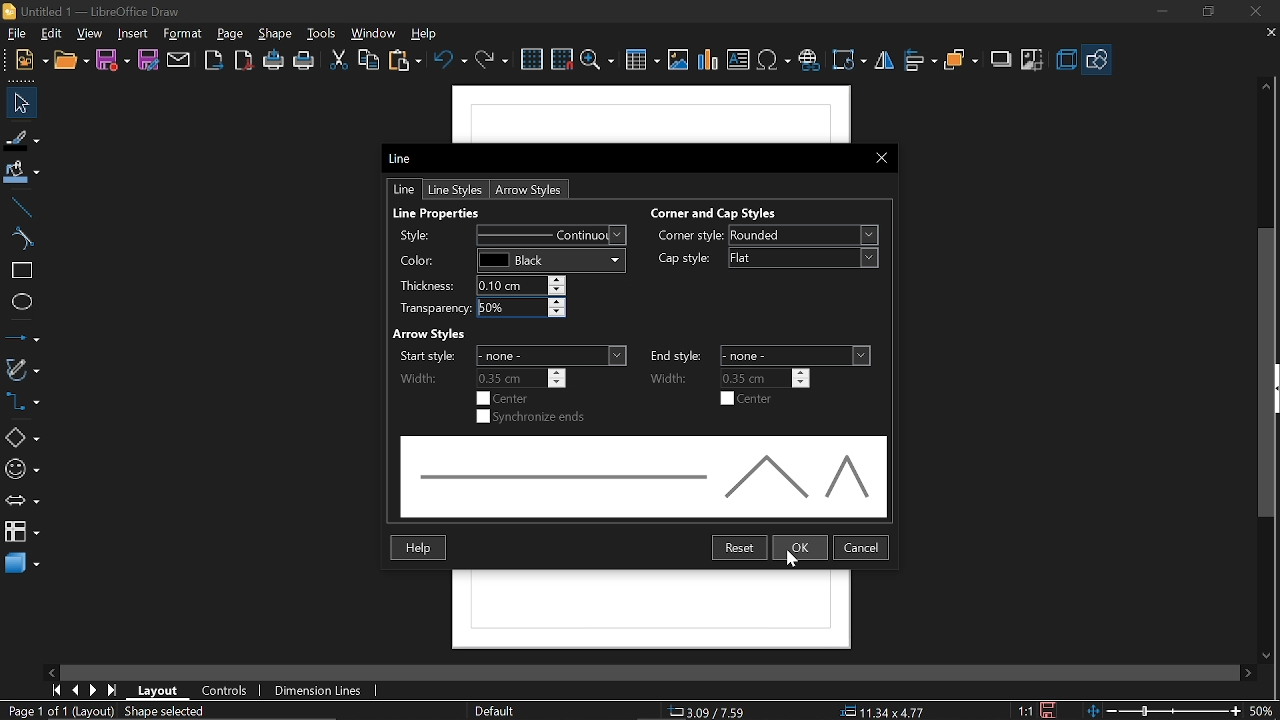 This screenshot has height=720, width=1280. What do you see at coordinates (642, 60) in the screenshot?
I see `Insert table` at bounding box center [642, 60].